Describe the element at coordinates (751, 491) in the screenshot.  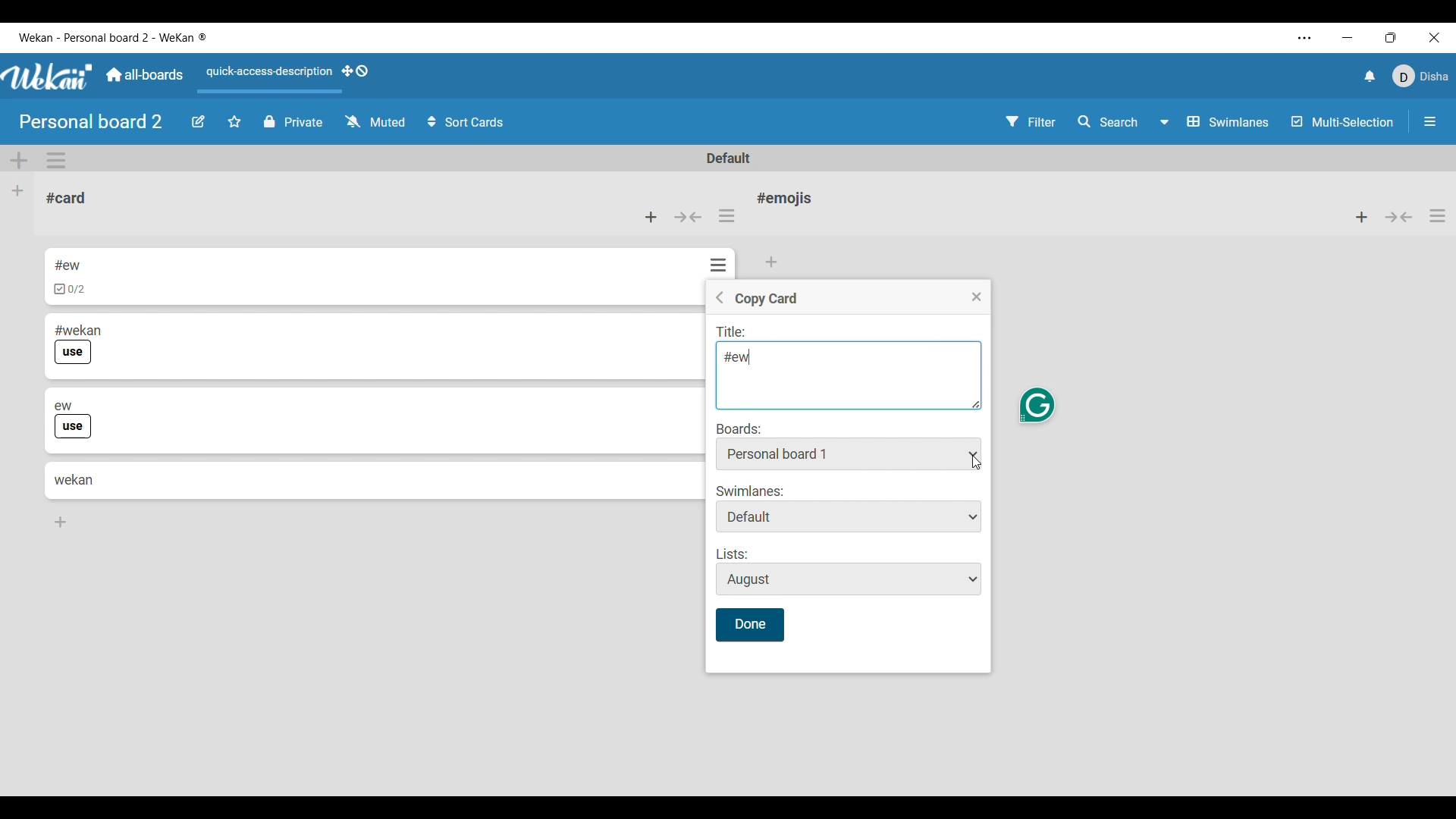
I see `Indicates swimlanes` at that location.